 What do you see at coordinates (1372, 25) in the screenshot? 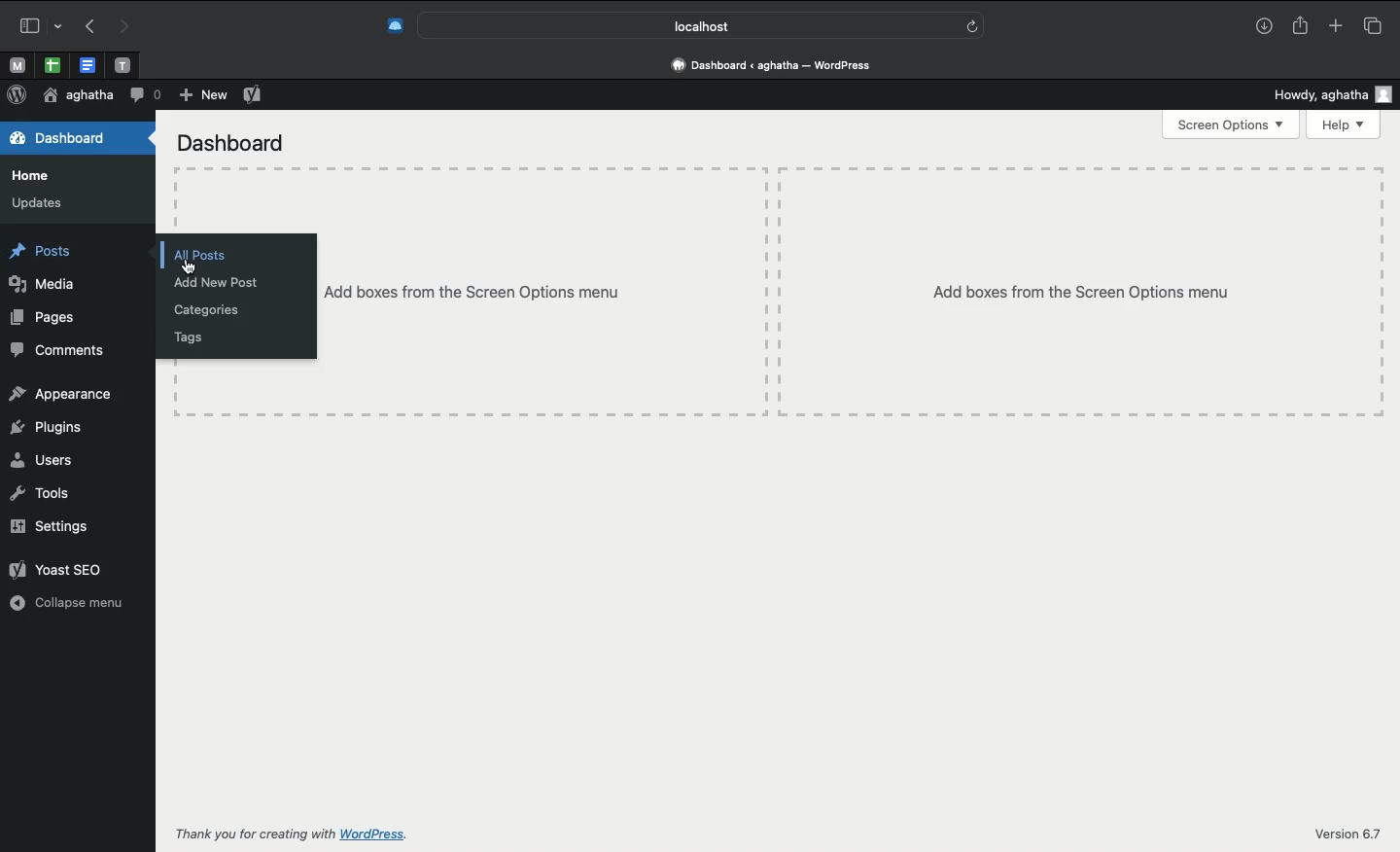
I see `Tabs` at bounding box center [1372, 25].